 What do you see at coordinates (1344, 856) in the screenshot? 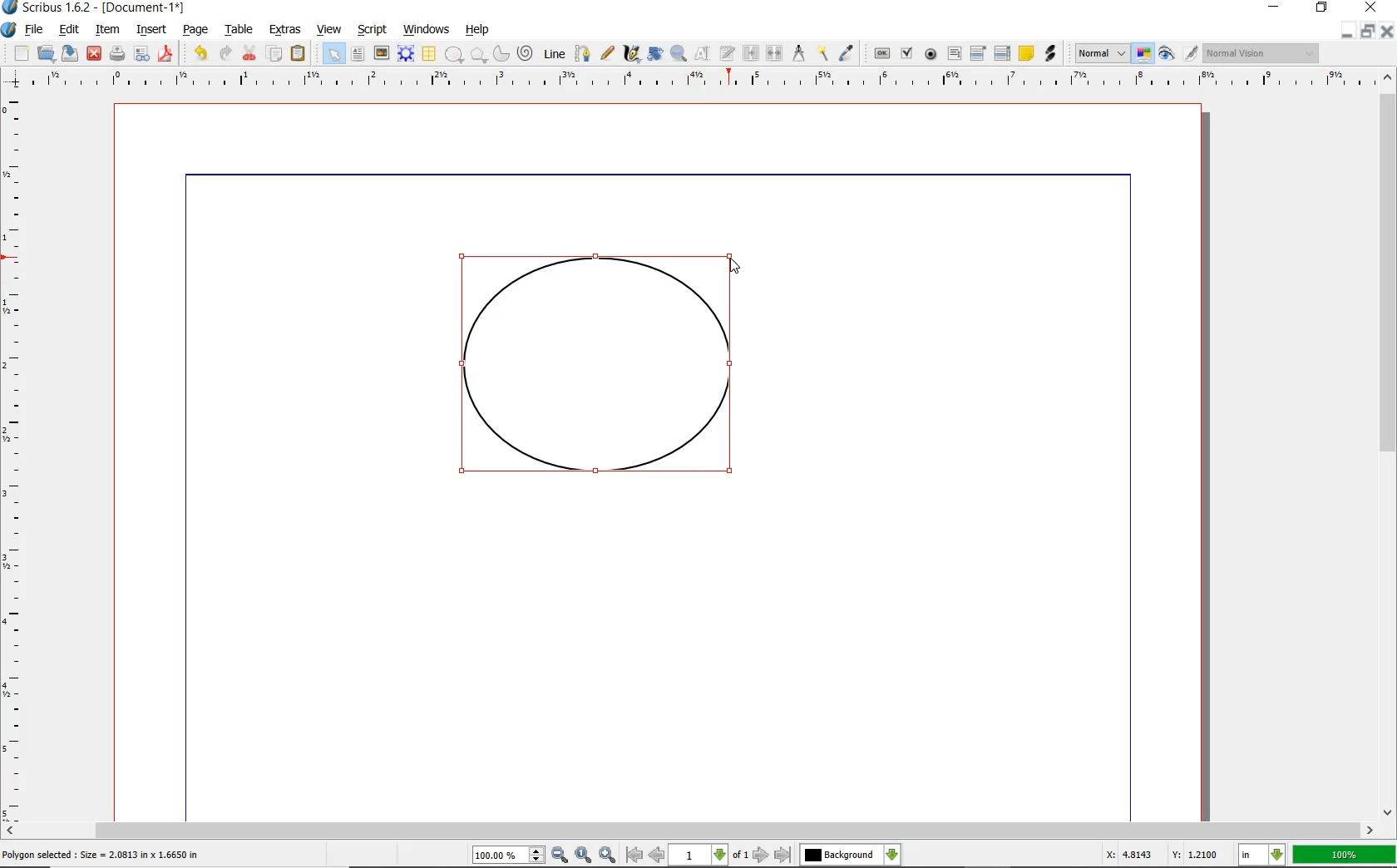
I see `ZOOM FACTOR` at bounding box center [1344, 856].